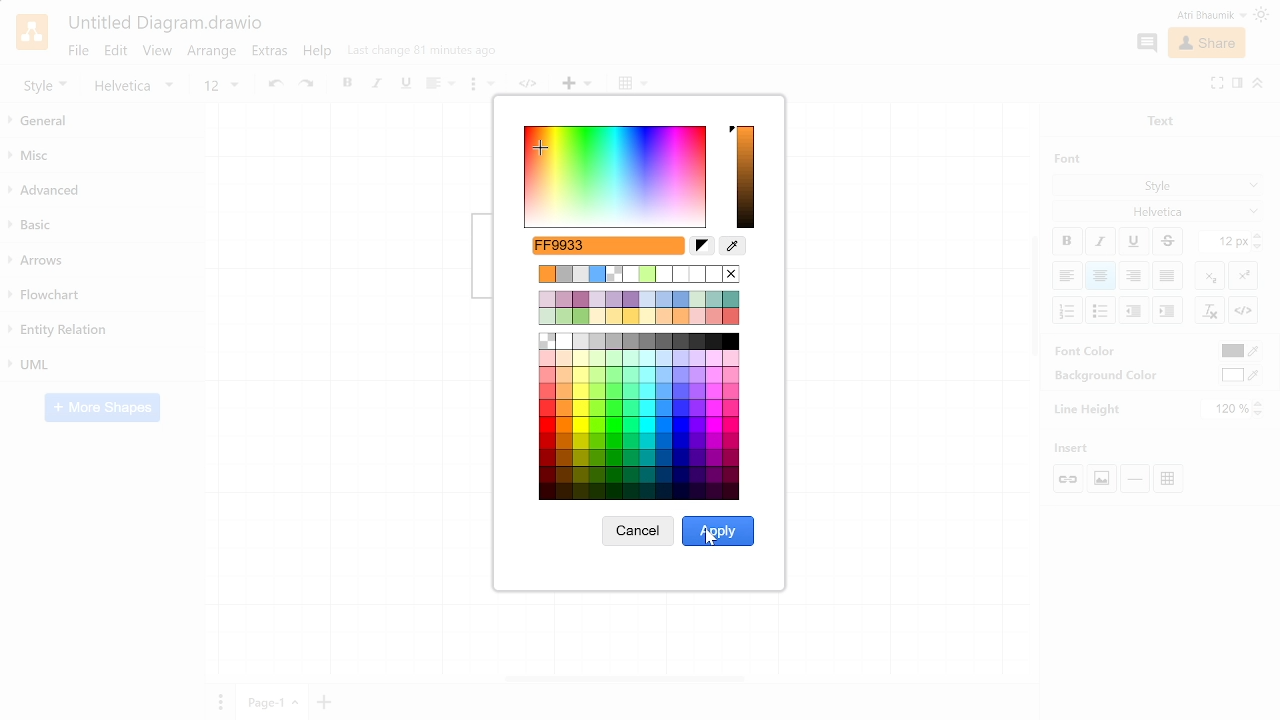  What do you see at coordinates (102, 409) in the screenshot?
I see `More shapes` at bounding box center [102, 409].